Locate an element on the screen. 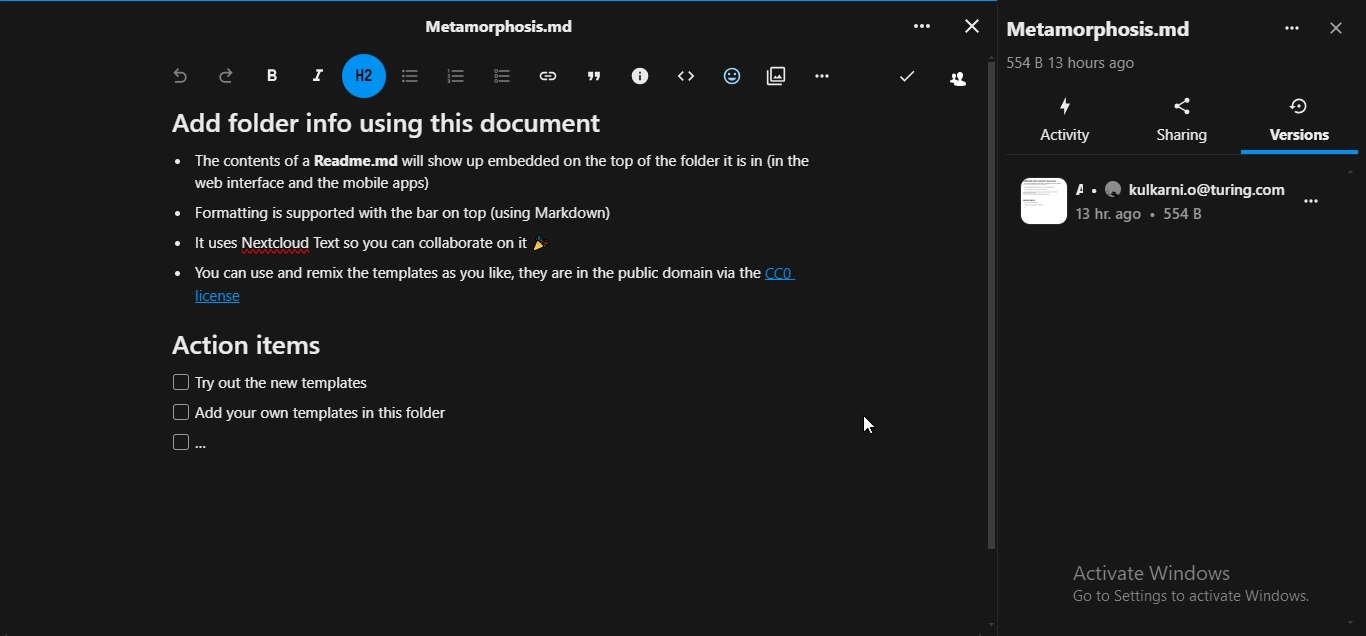  Scrollbar is located at coordinates (991, 338).